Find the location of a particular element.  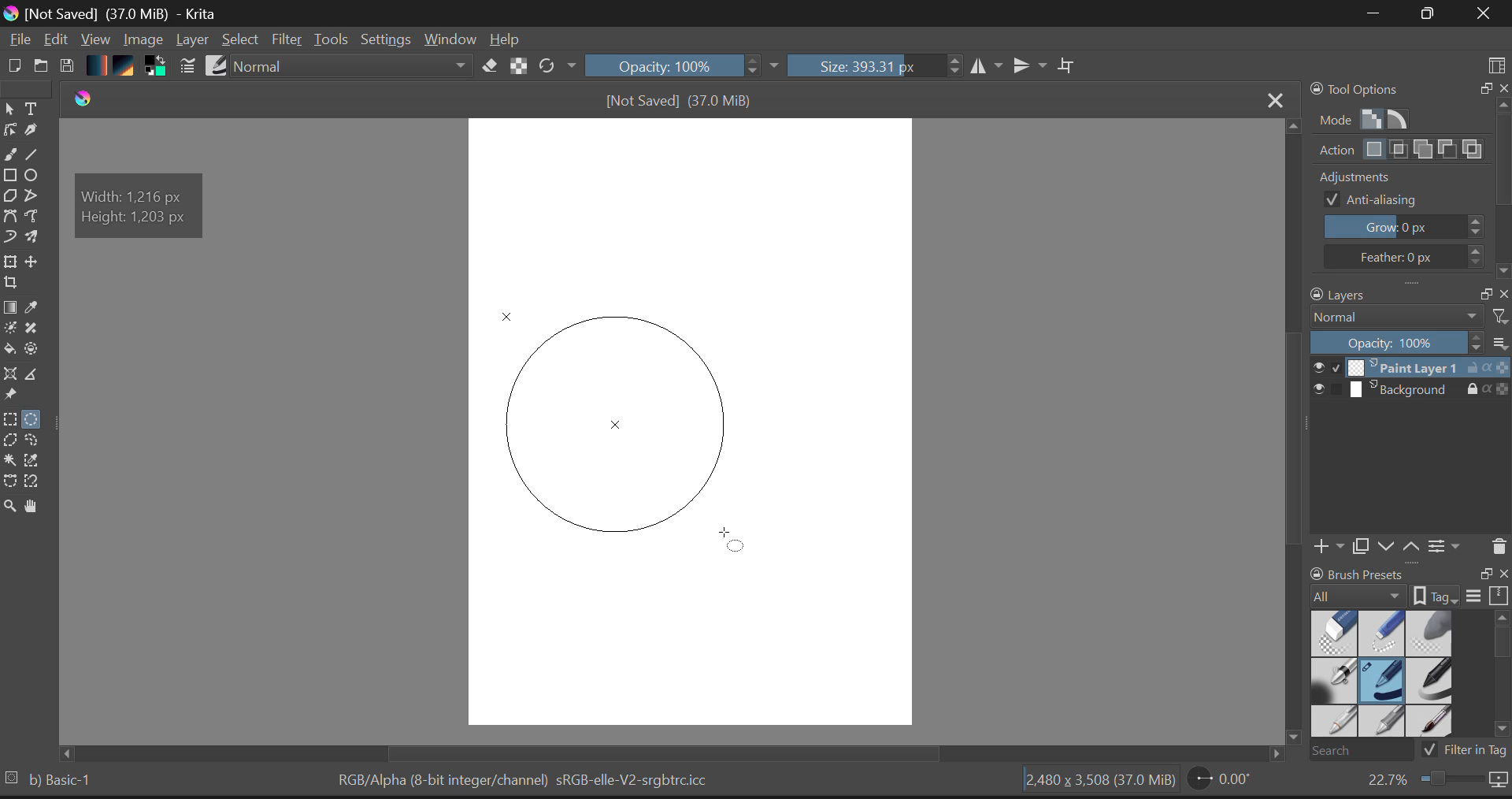

Restore Down is located at coordinates (1371, 14).